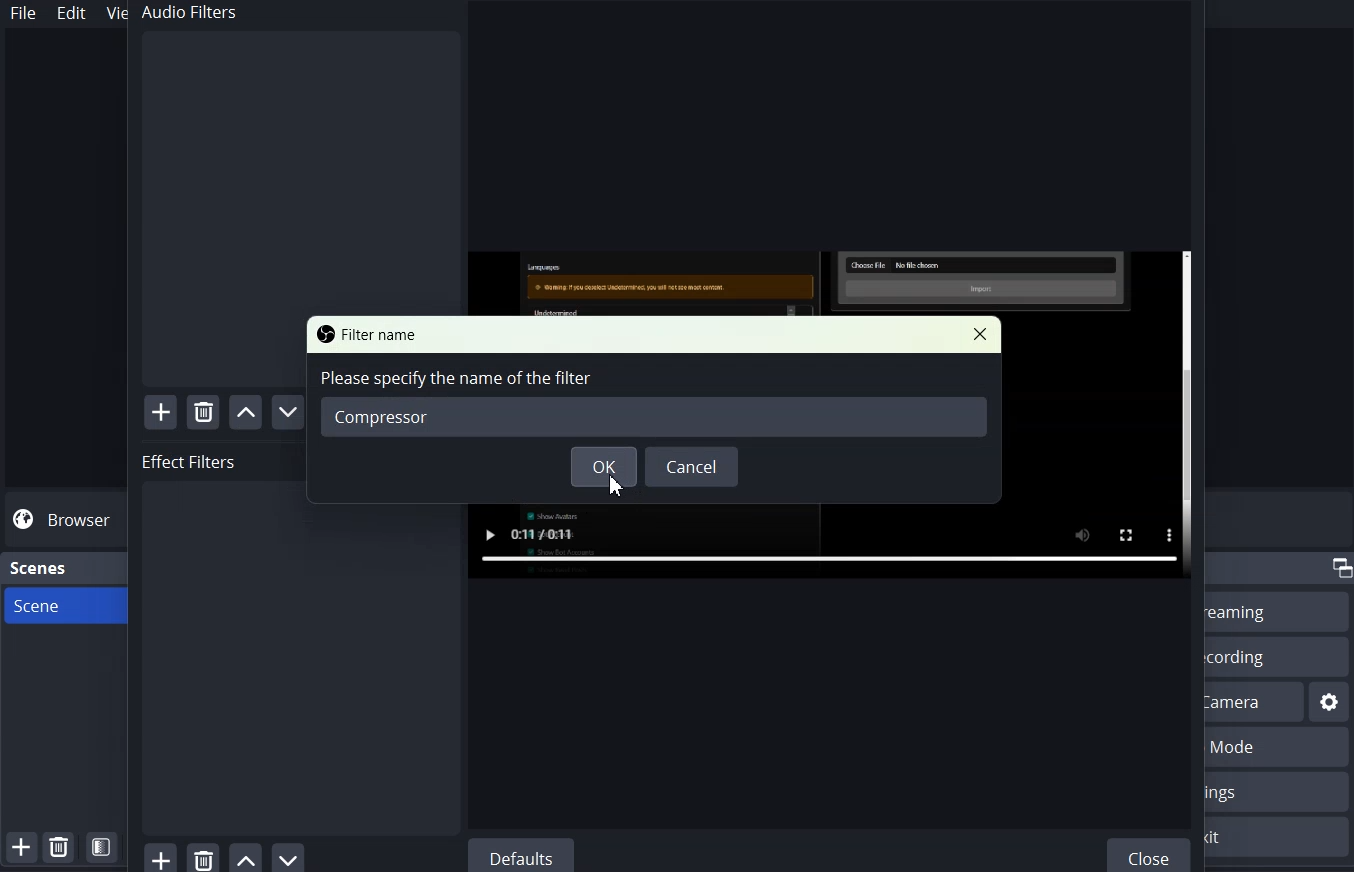 The height and width of the screenshot is (872, 1354). Describe the element at coordinates (456, 377) in the screenshot. I see `Please specify the name of the filter` at that location.